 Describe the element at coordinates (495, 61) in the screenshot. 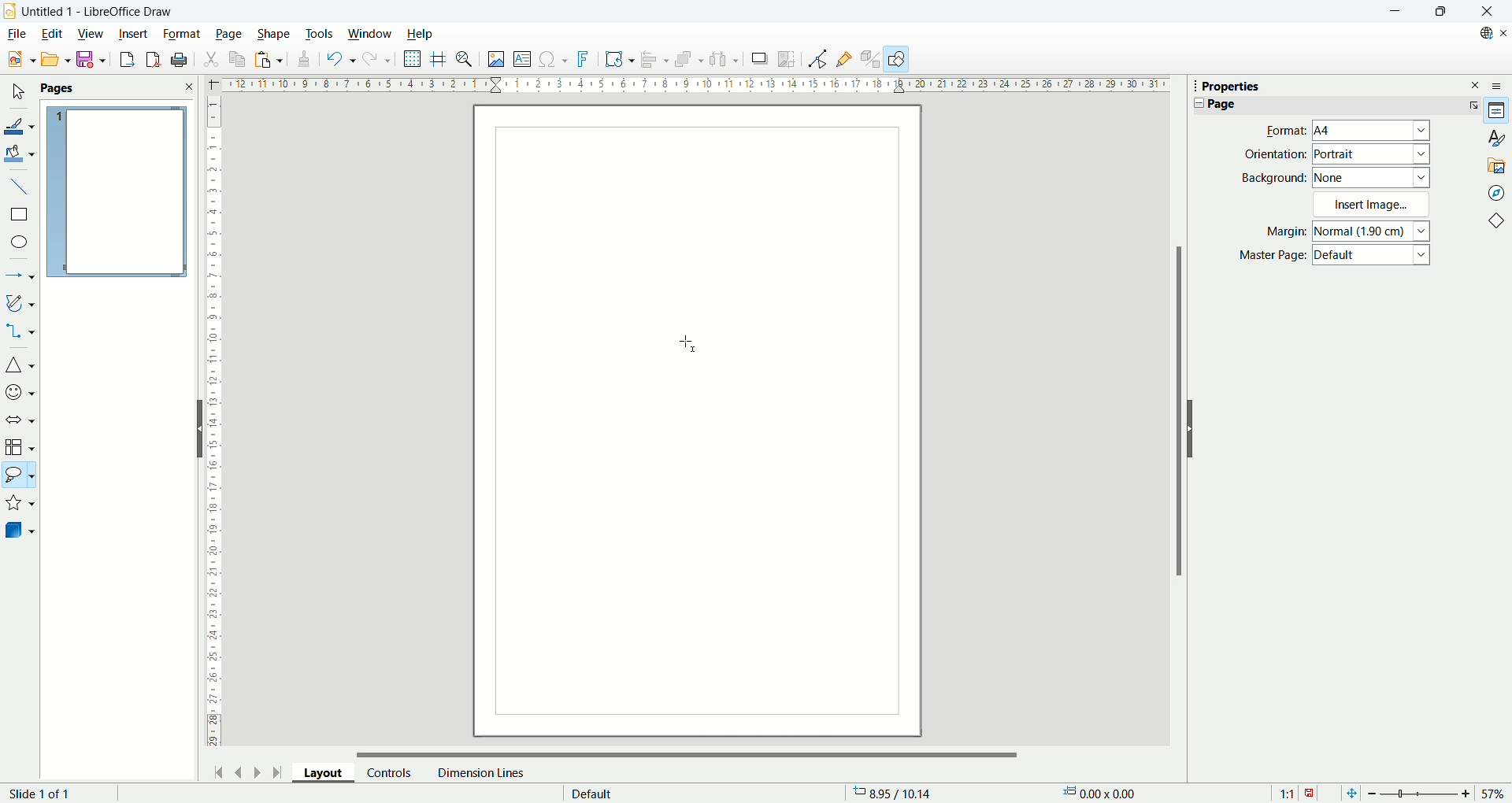

I see `insert image` at that location.